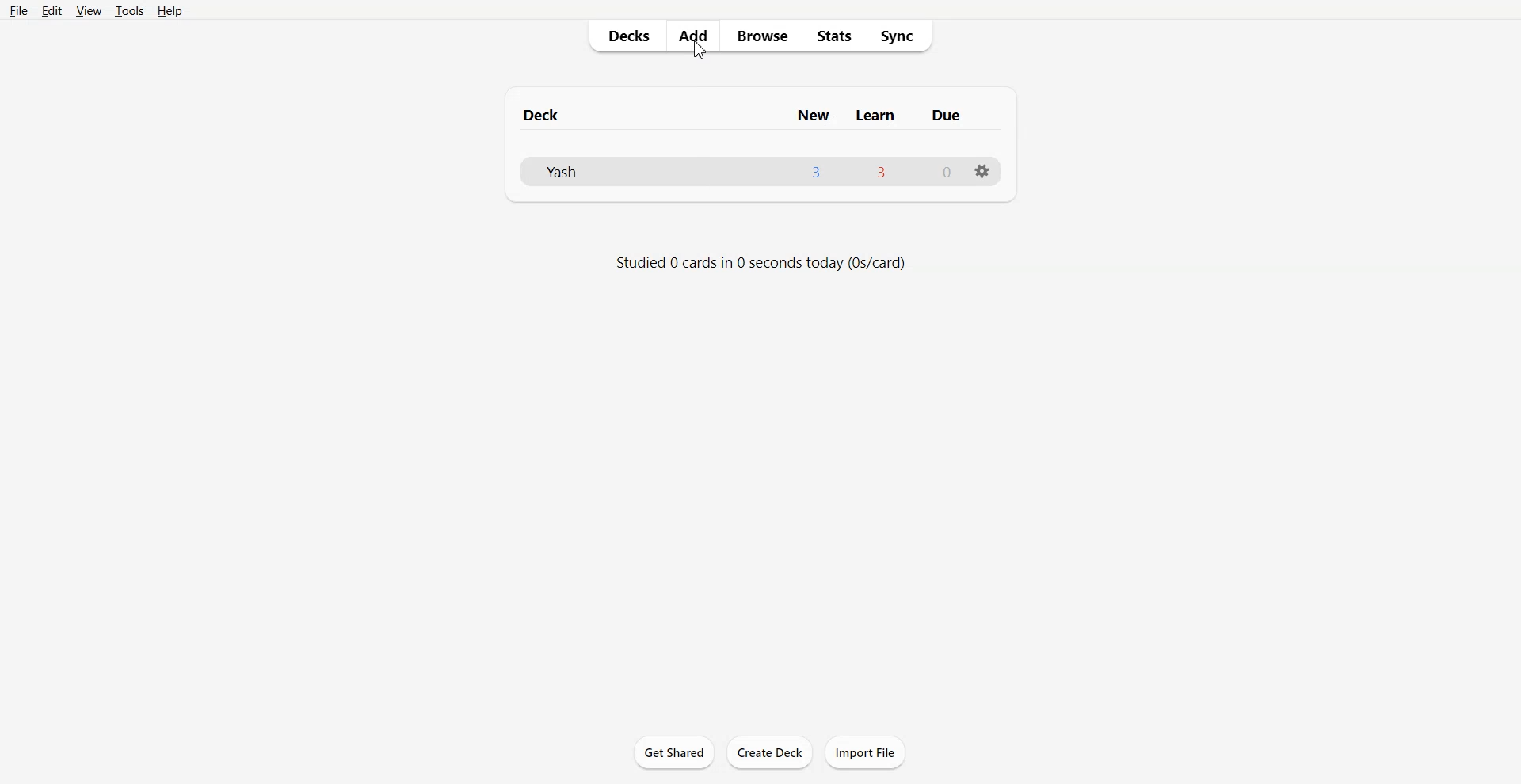  I want to click on cursor, so click(700, 51).